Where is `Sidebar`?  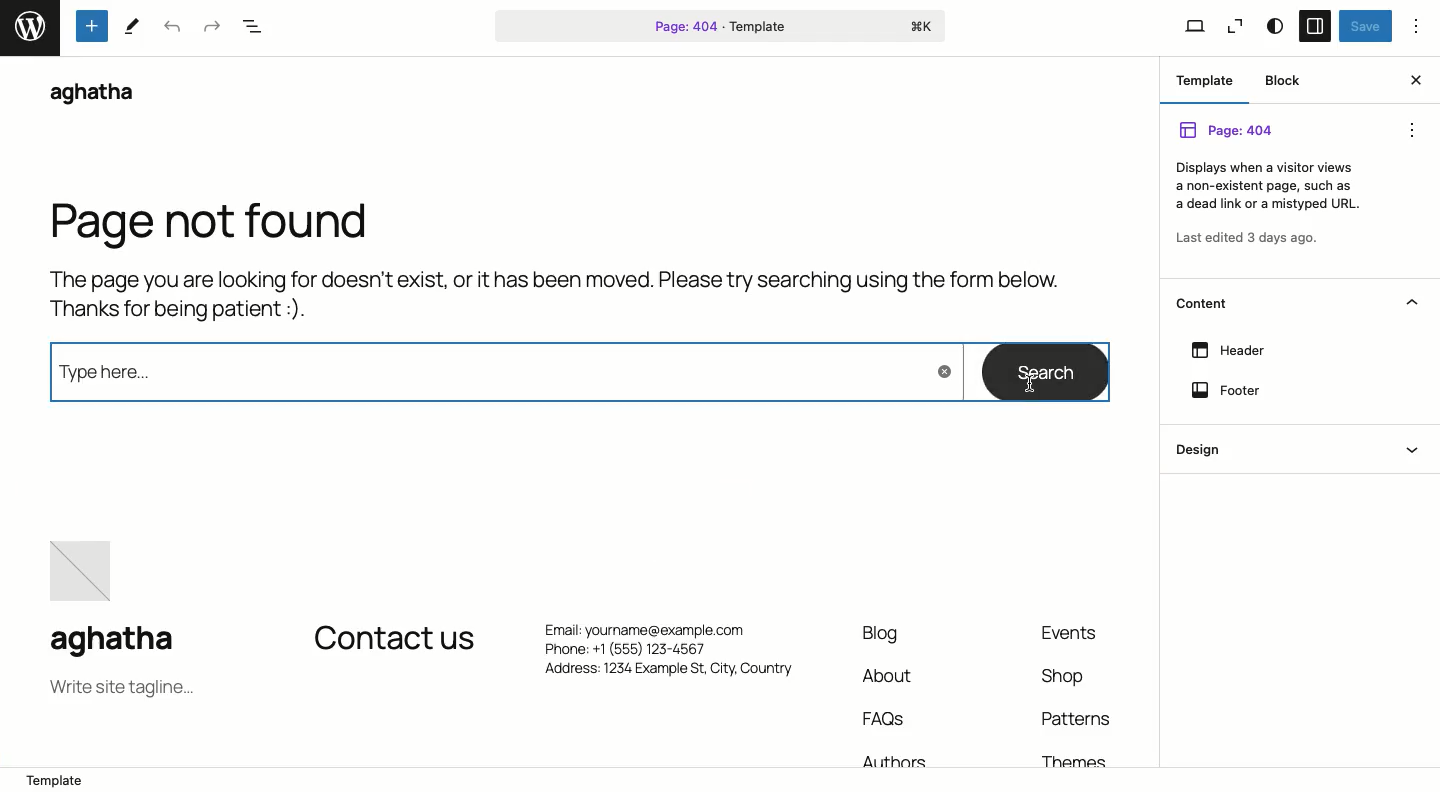
Sidebar is located at coordinates (1316, 26).